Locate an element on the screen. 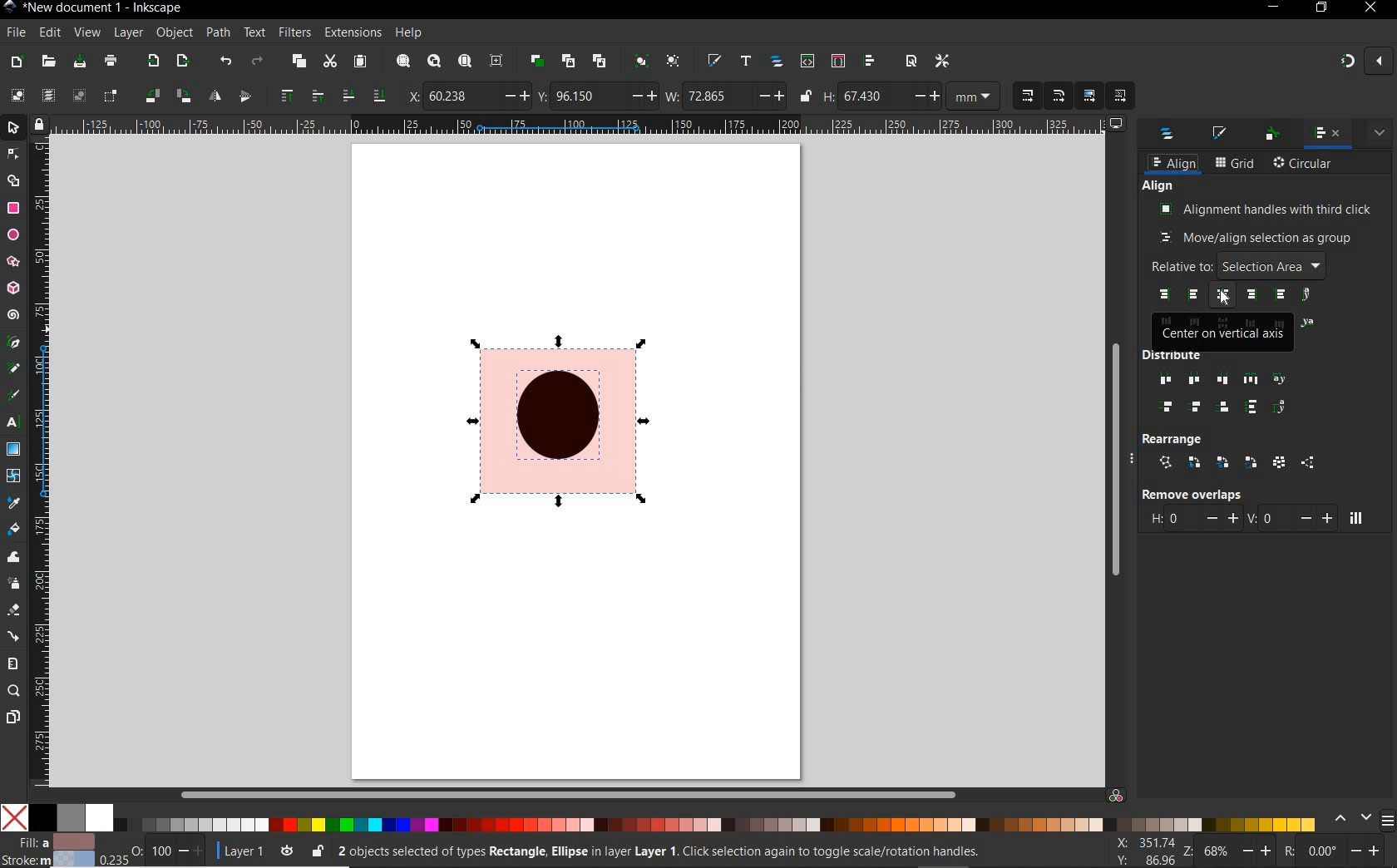  EVEN LEFT EDGES is located at coordinates (1162, 381).